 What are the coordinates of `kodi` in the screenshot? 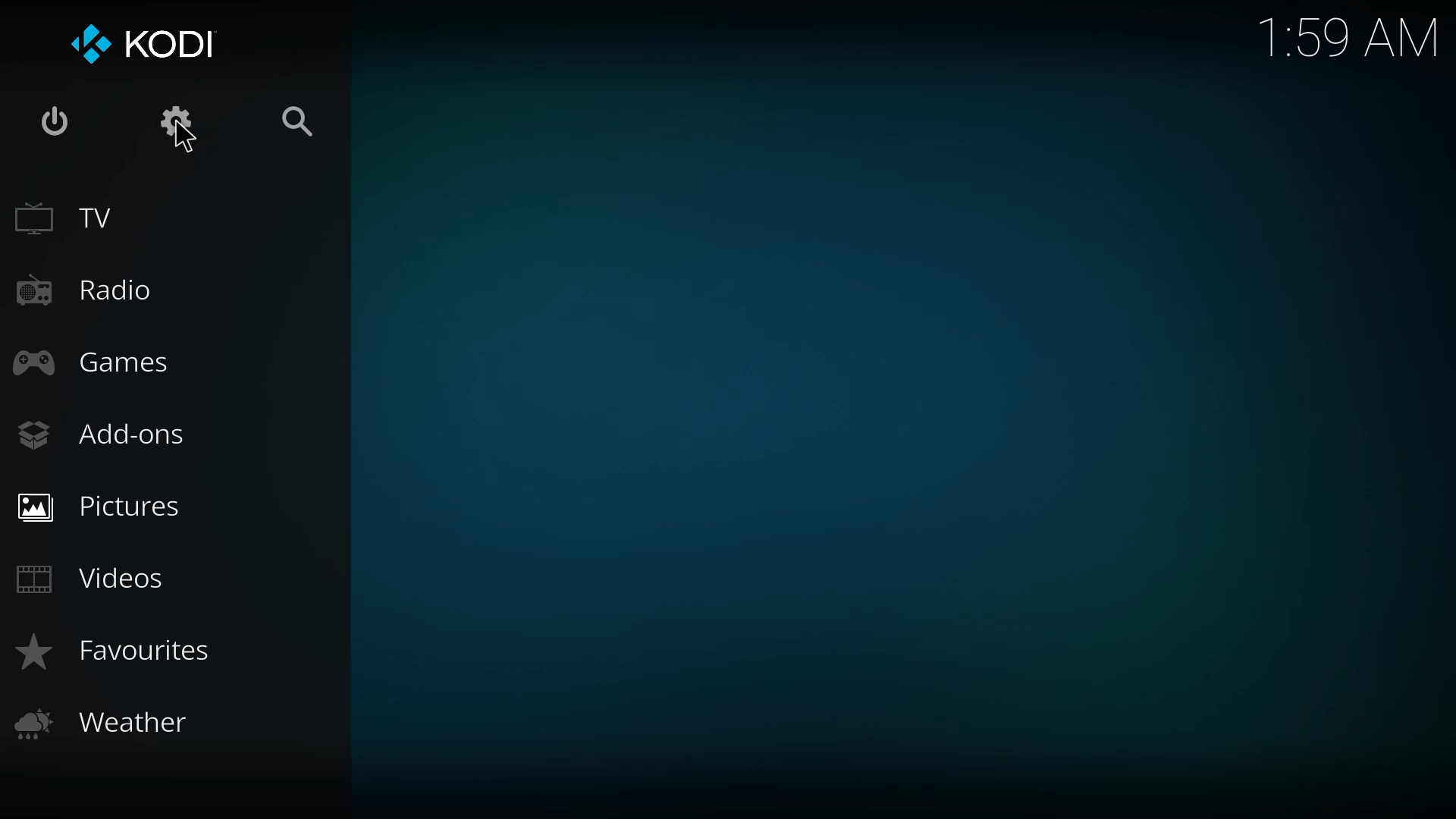 It's located at (143, 43).